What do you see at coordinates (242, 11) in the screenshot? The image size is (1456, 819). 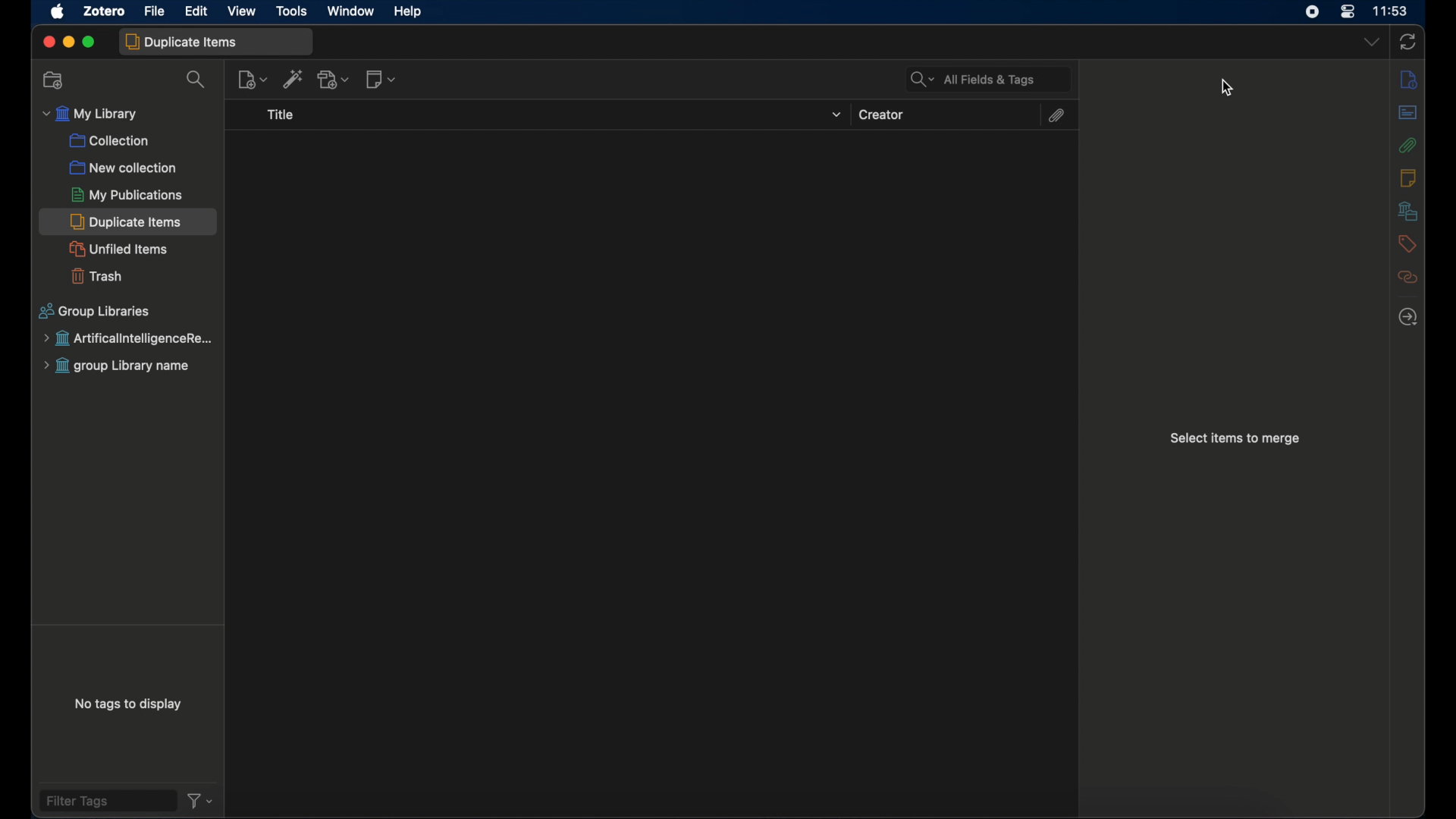 I see `view` at bounding box center [242, 11].